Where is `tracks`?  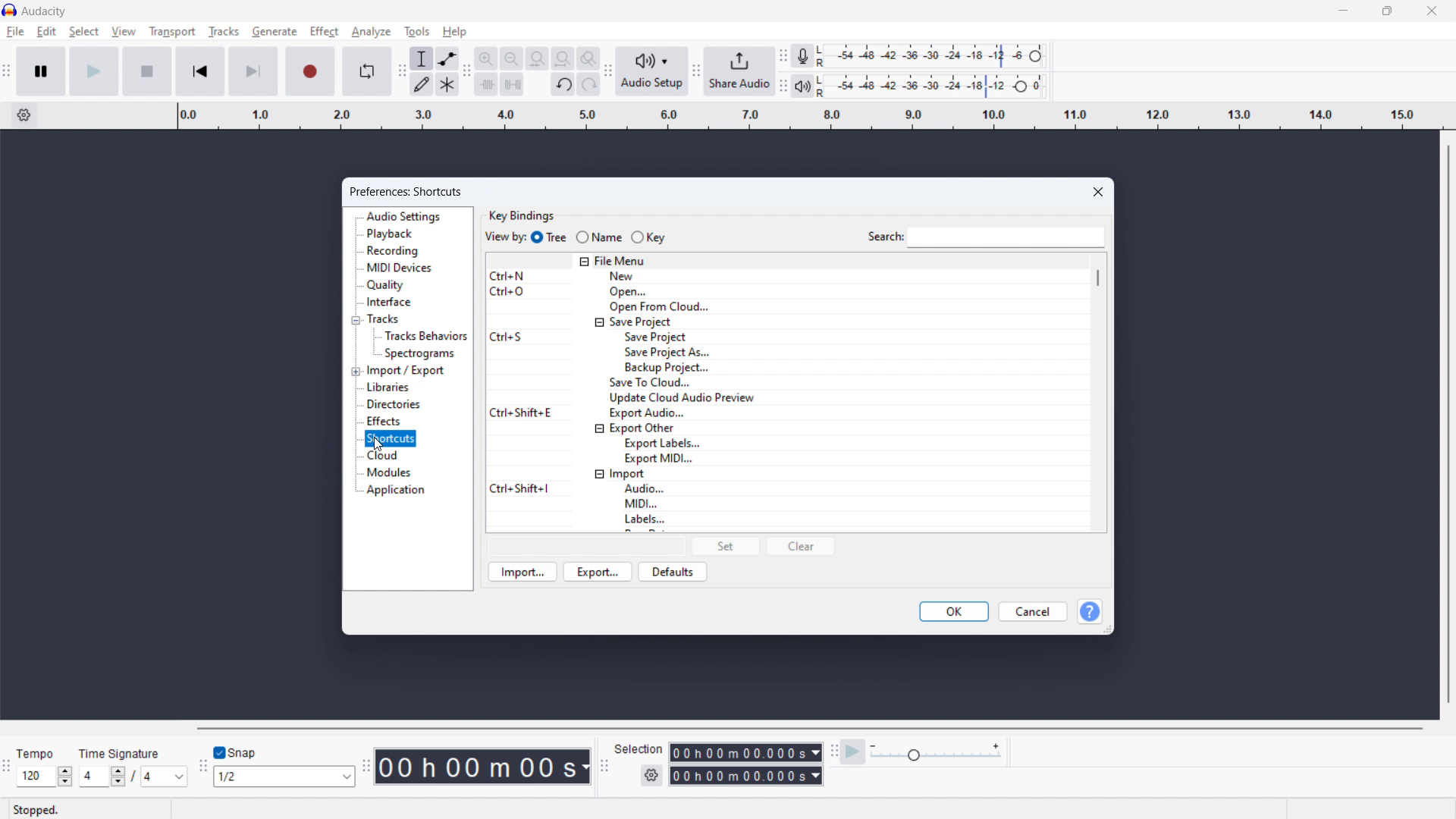
tracks is located at coordinates (384, 318).